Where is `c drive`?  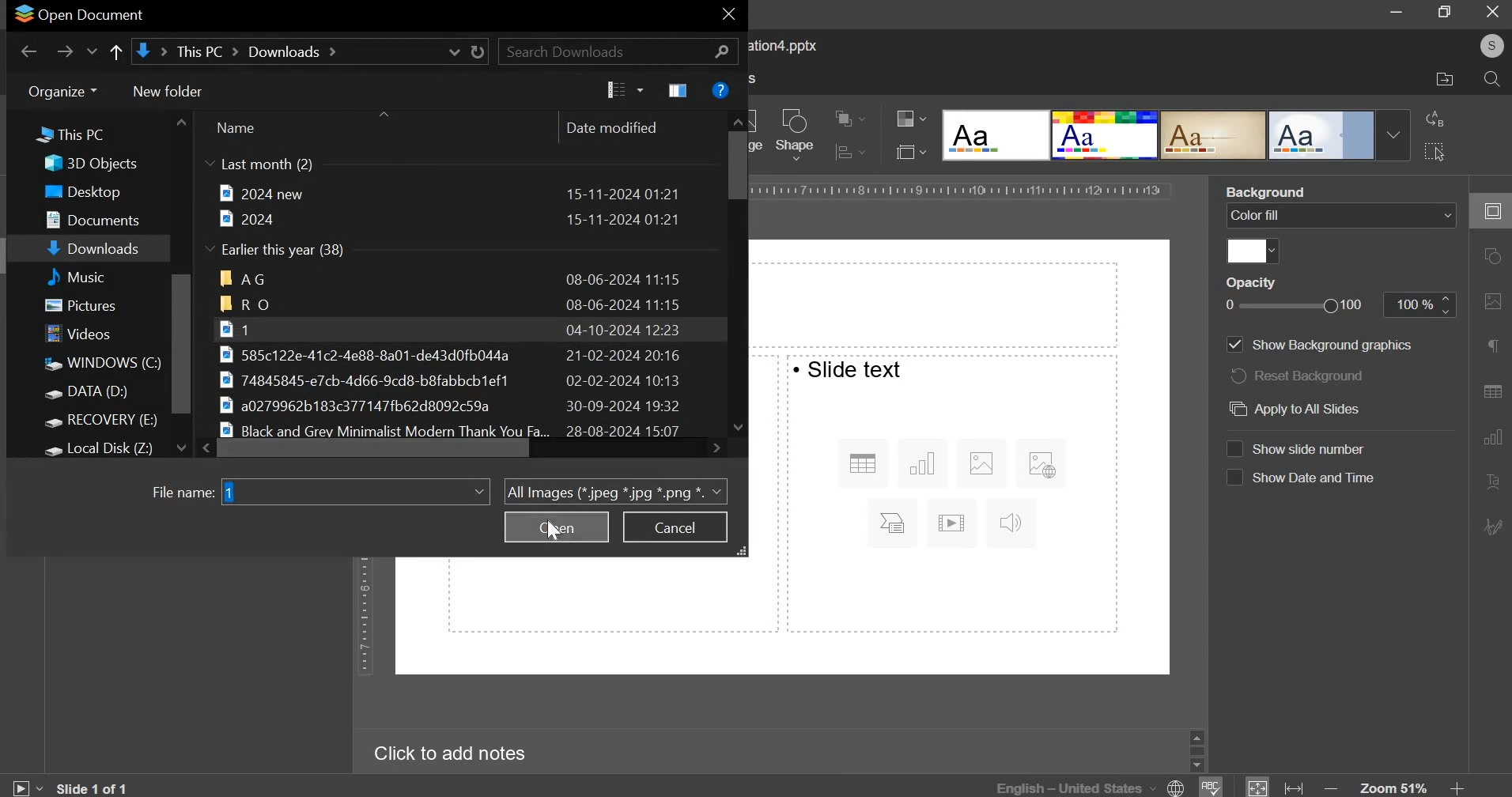 c drive is located at coordinates (100, 364).